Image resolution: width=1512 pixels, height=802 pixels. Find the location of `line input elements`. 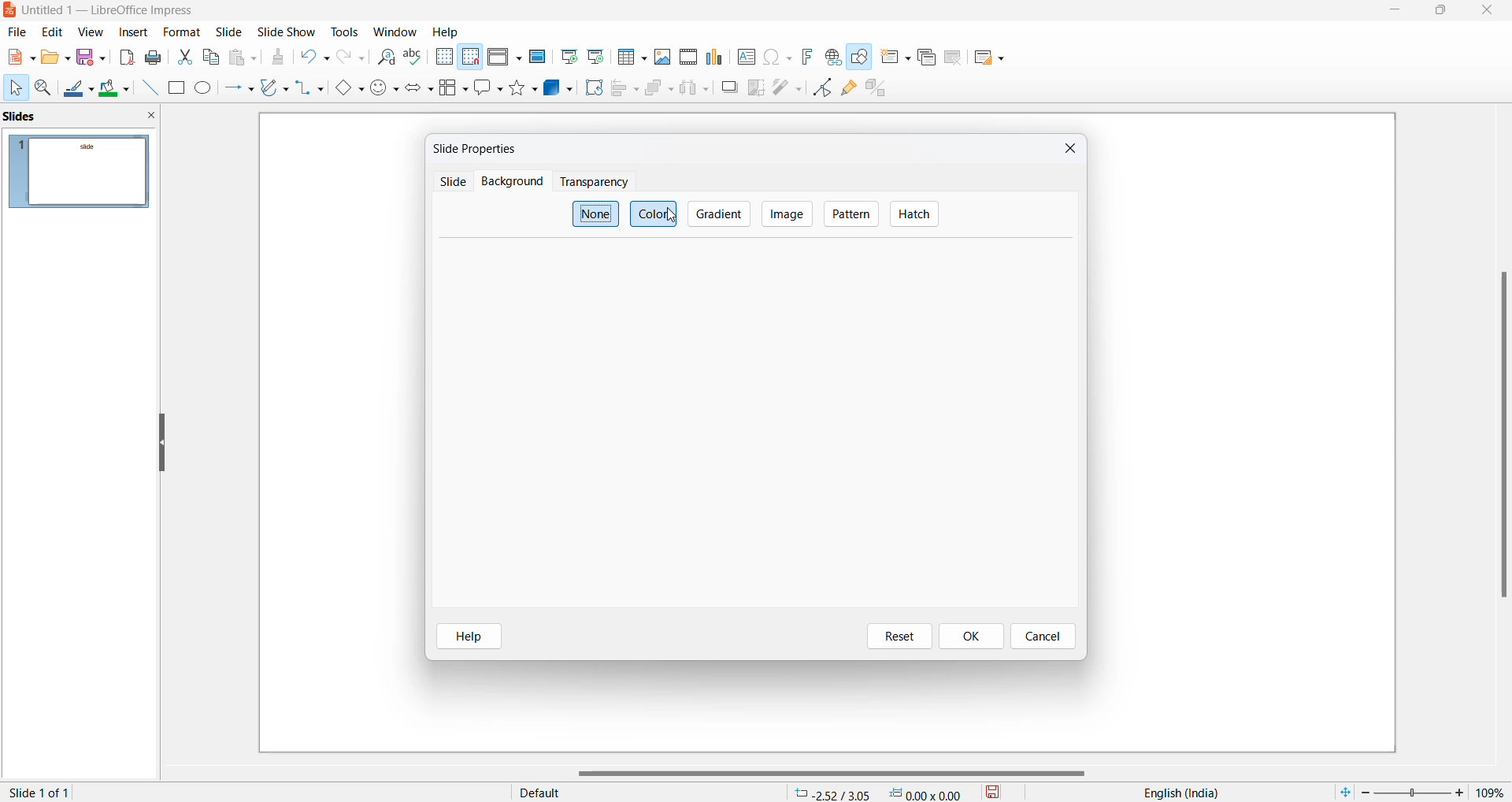

line input elements is located at coordinates (148, 88).